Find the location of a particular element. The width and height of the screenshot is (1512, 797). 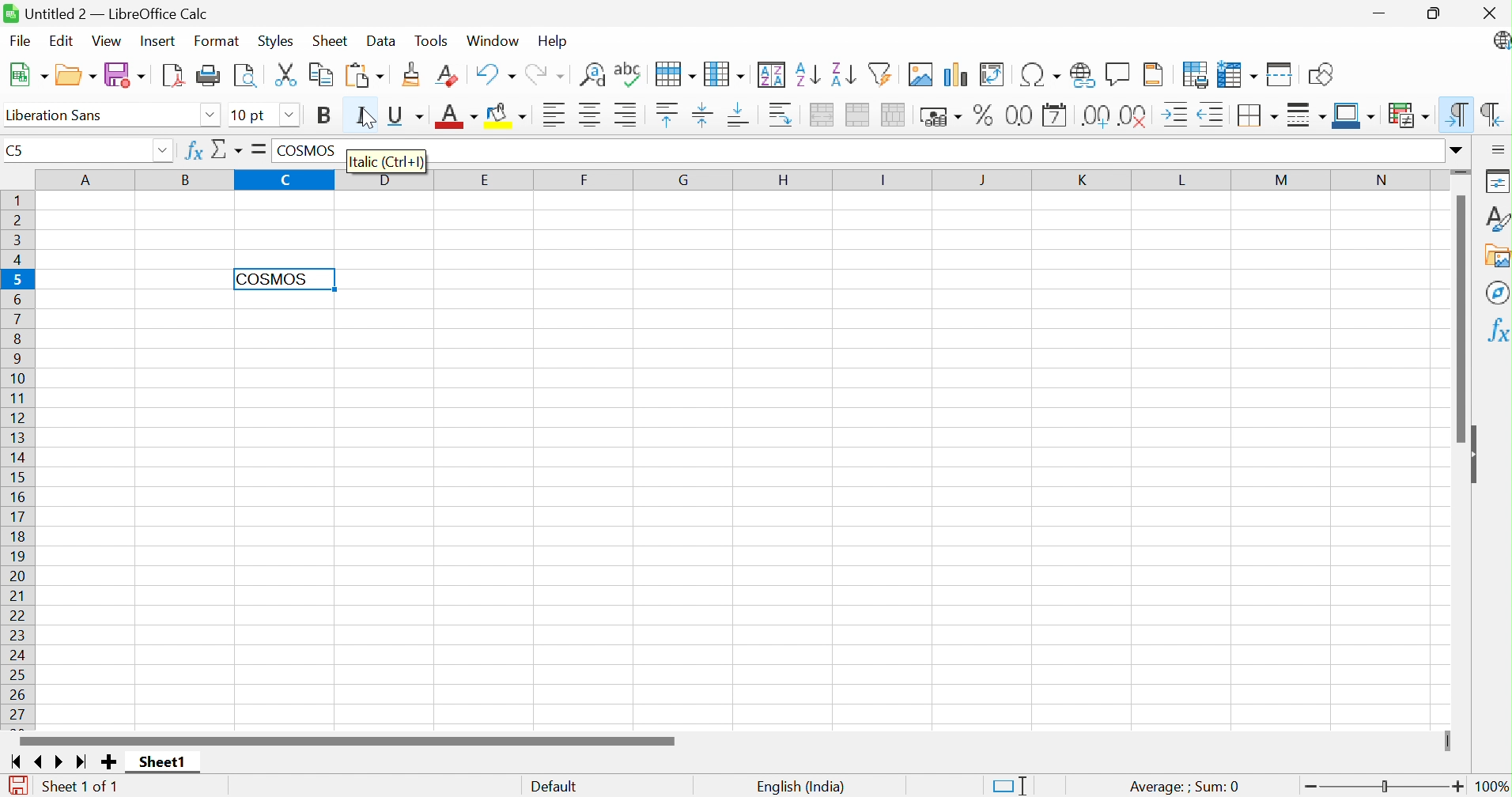

New is located at coordinates (28, 77).